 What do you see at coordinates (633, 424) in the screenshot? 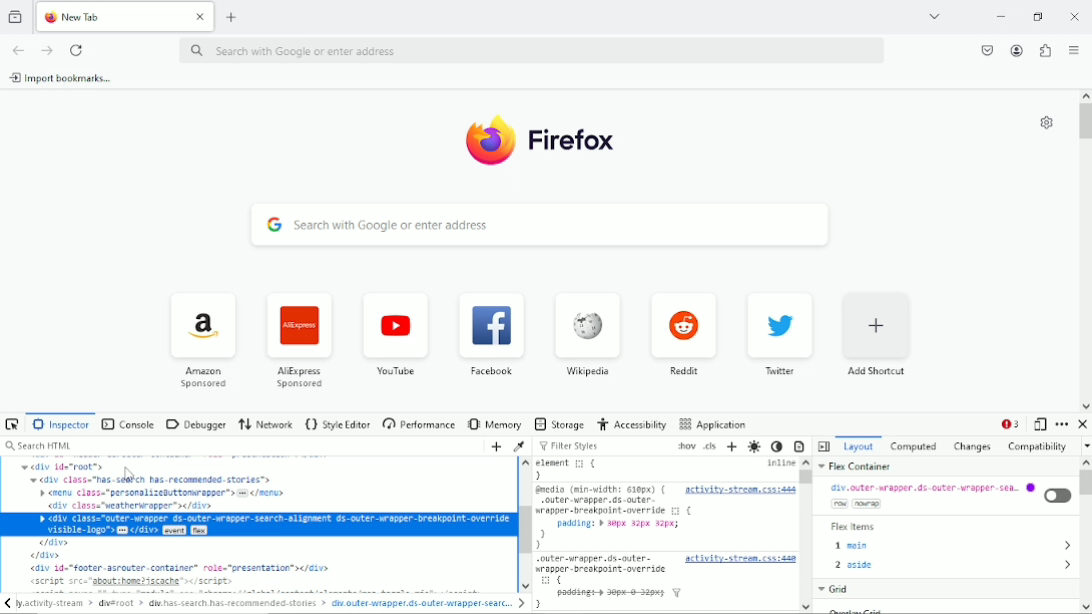
I see `Accessibility` at bounding box center [633, 424].